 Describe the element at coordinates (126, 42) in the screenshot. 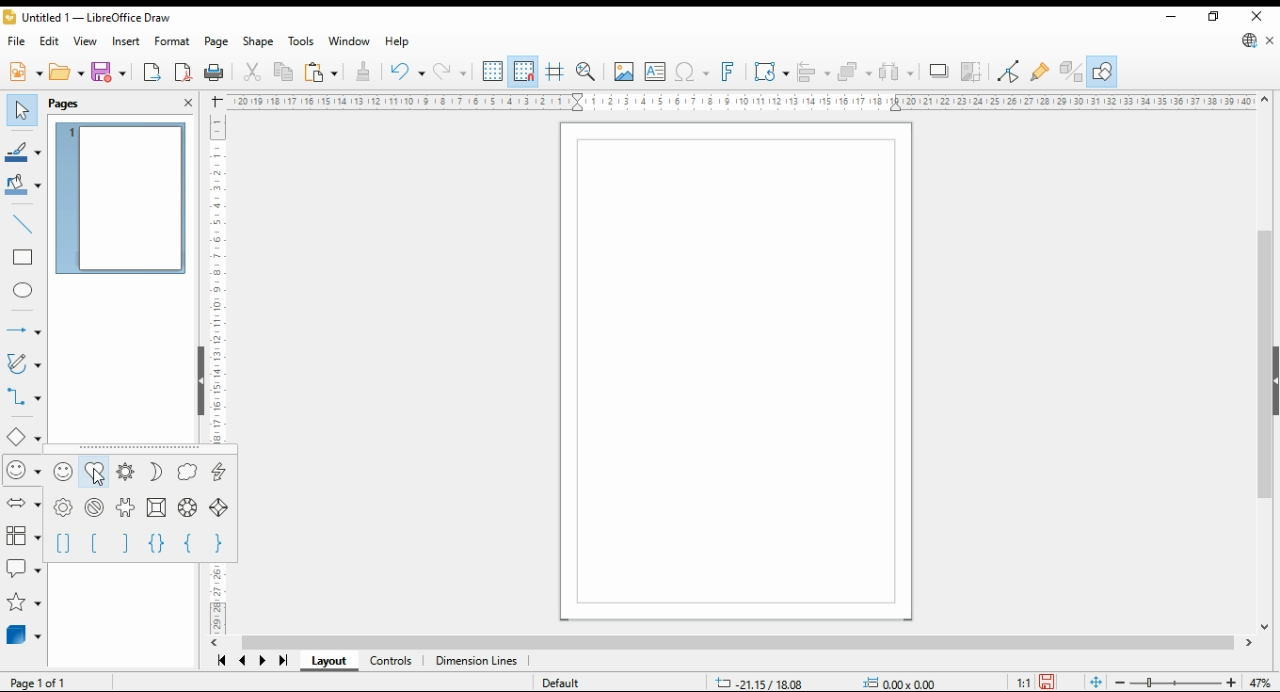

I see `insert` at that location.